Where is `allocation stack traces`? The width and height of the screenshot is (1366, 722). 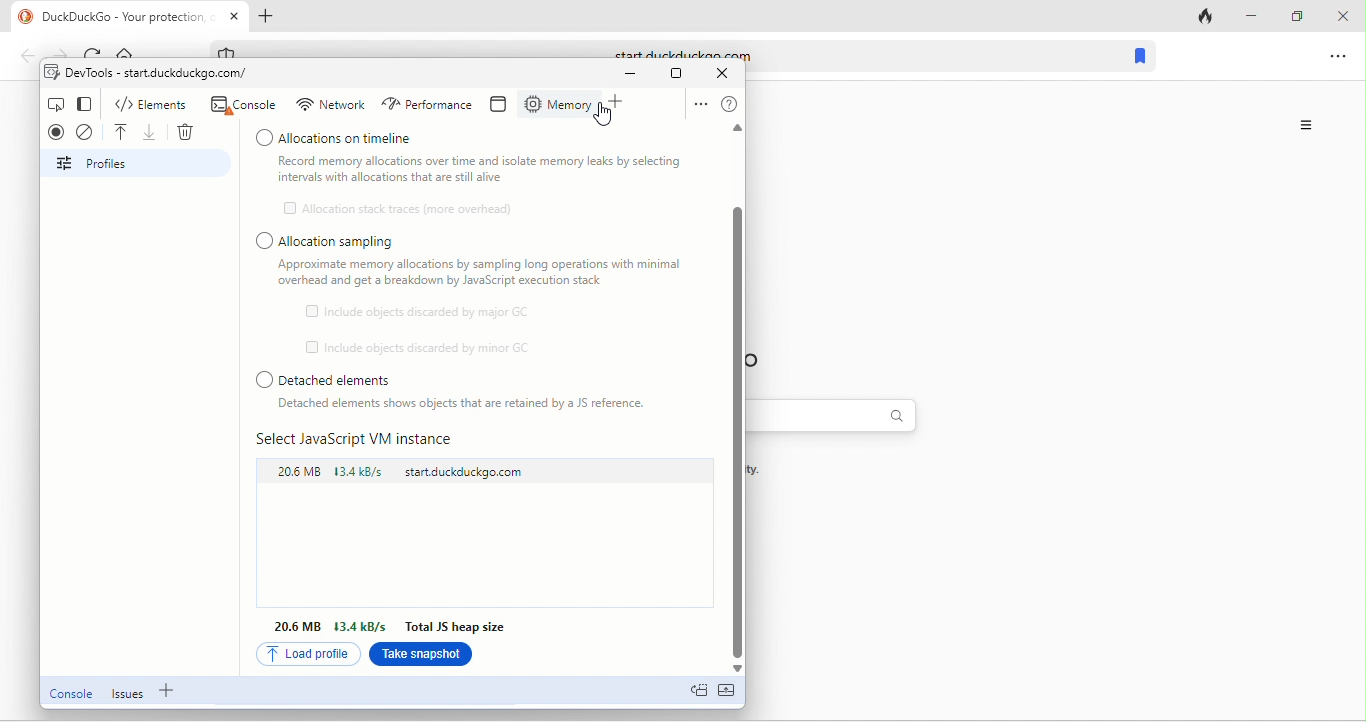 allocation stack traces is located at coordinates (409, 207).